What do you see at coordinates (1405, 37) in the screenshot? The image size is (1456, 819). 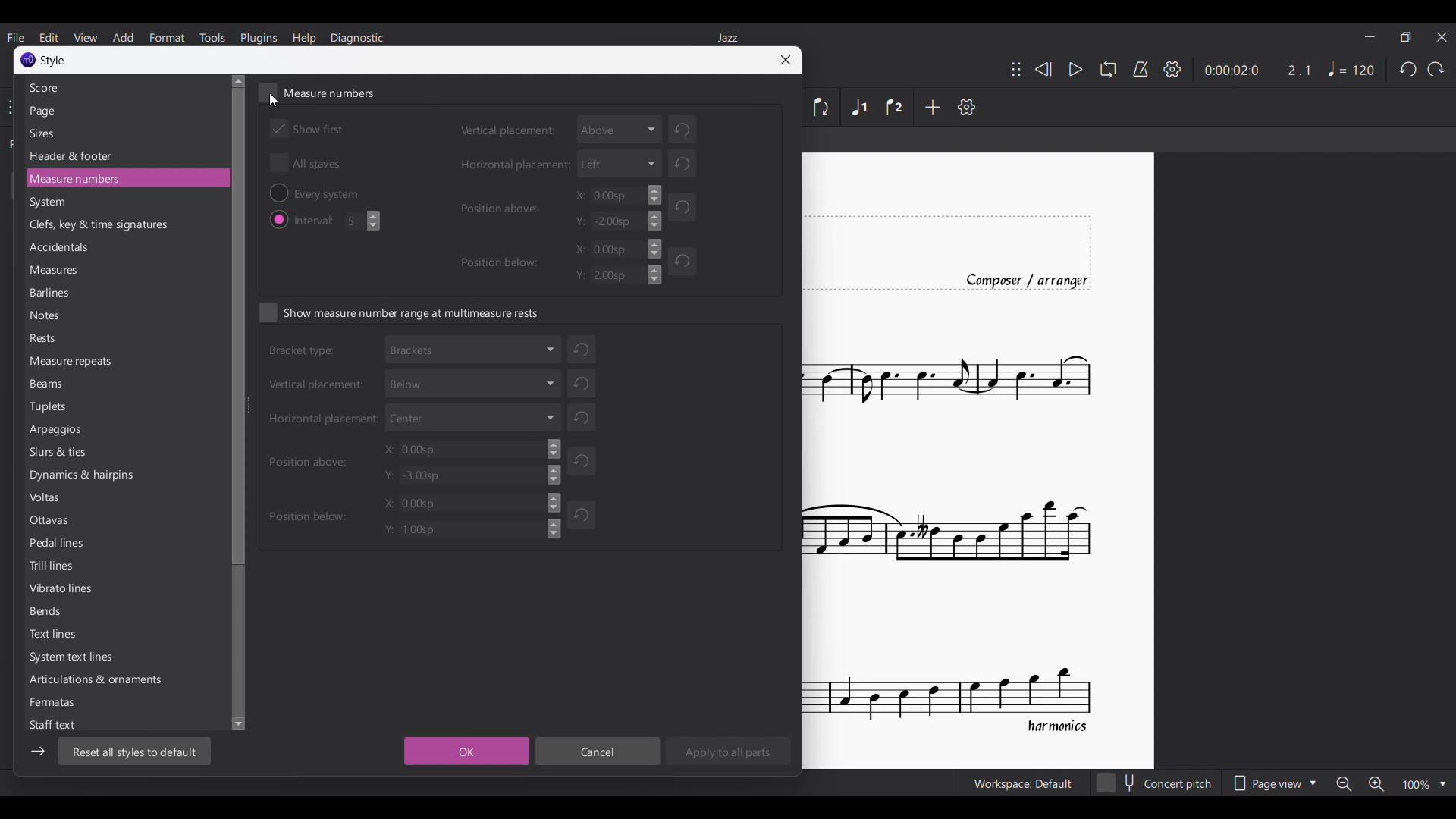 I see `Show in smaller tab` at bounding box center [1405, 37].